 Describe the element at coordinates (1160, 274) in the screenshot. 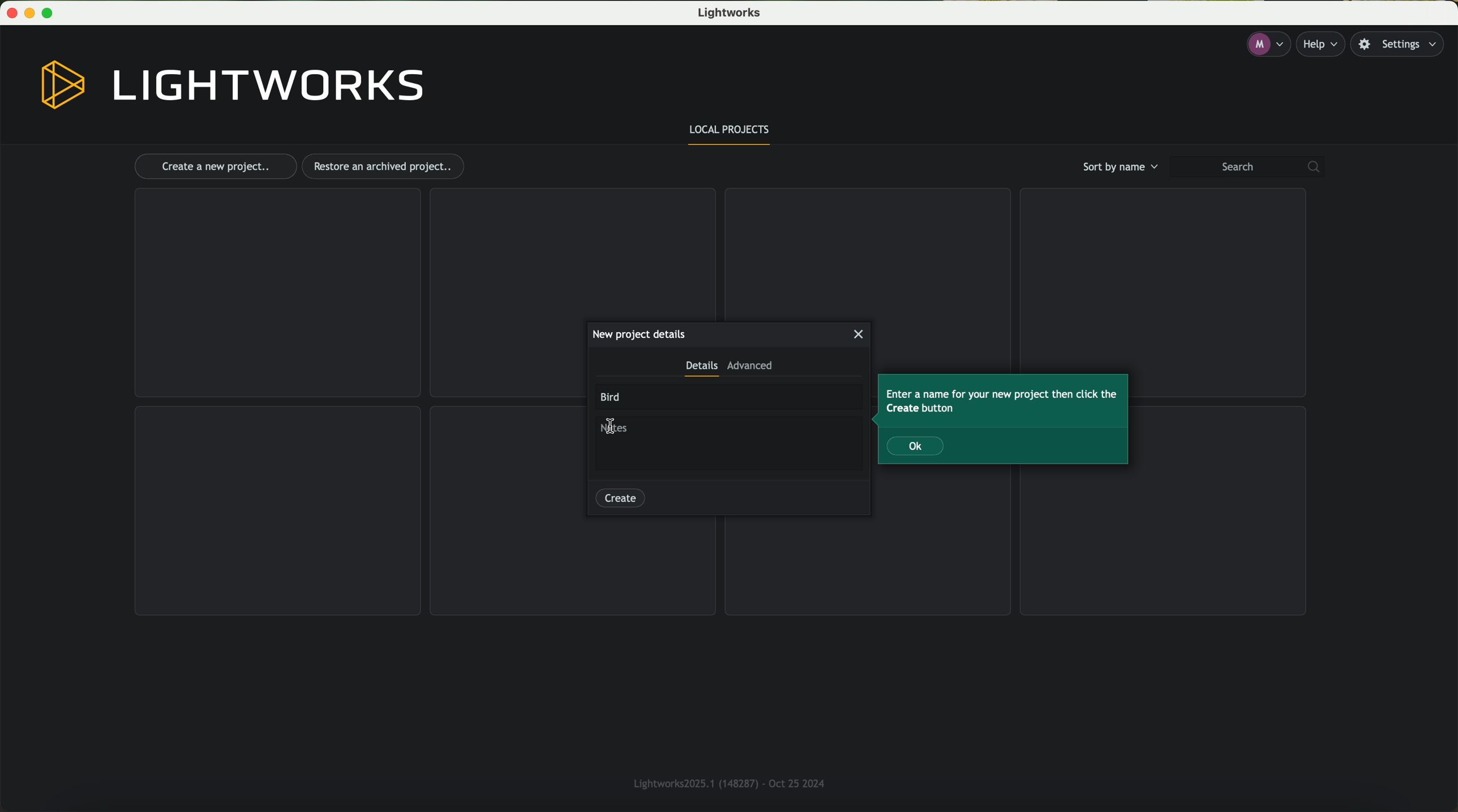

I see `grid` at that location.